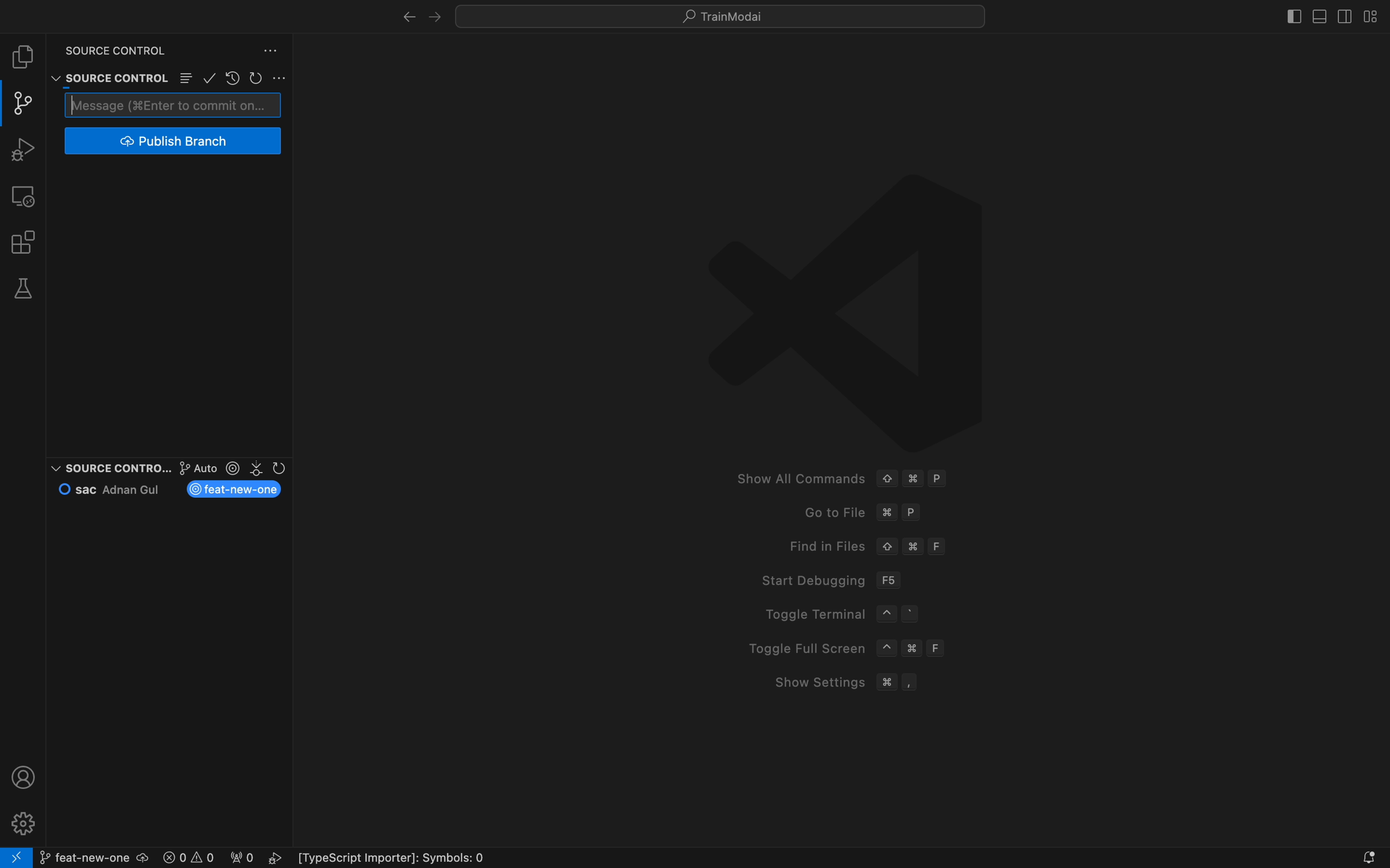 This screenshot has width=1390, height=868. What do you see at coordinates (232, 490) in the screenshot?
I see `new branch name` at bounding box center [232, 490].